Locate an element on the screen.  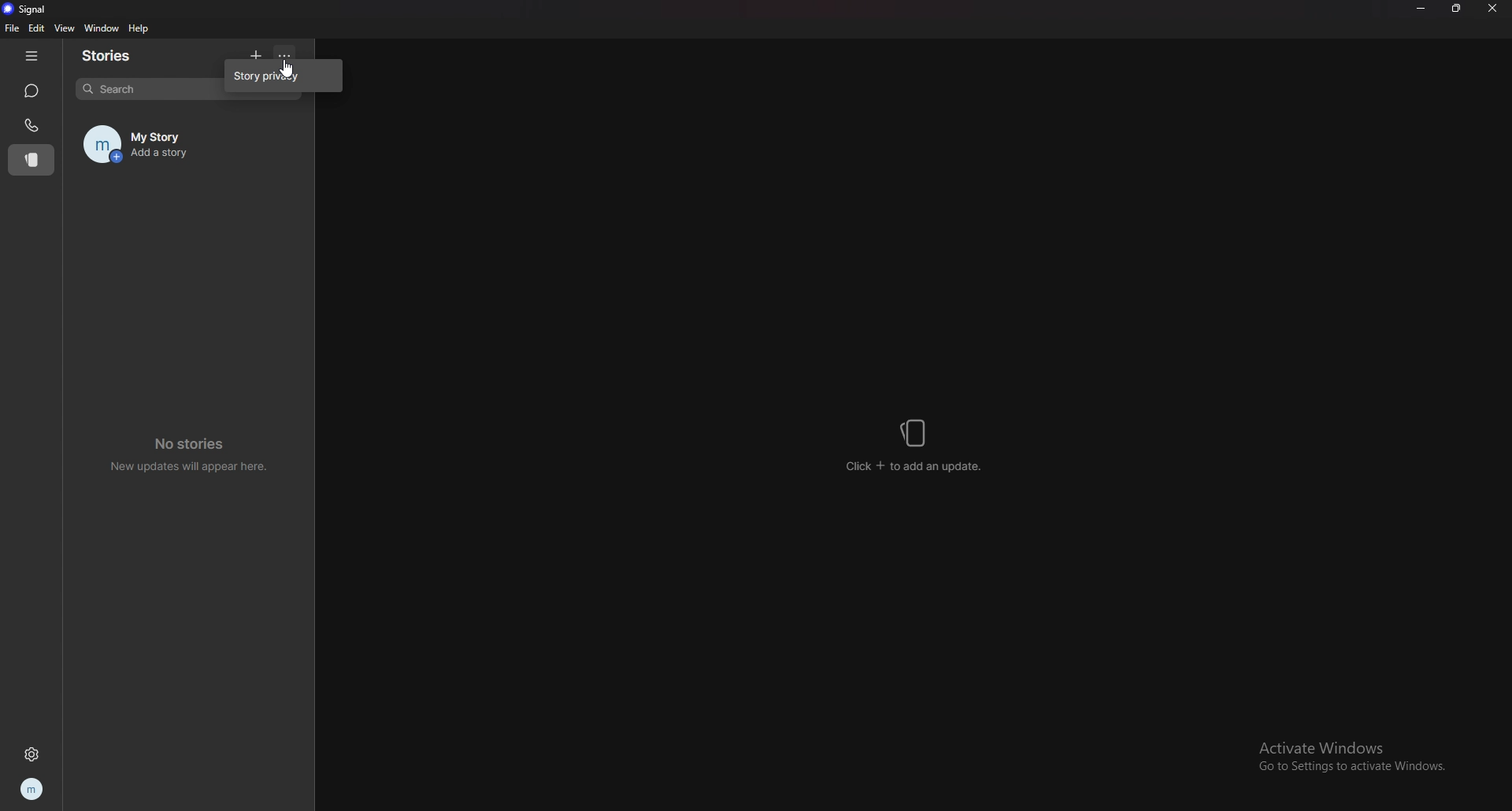
settings is located at coordinates (31, 755).